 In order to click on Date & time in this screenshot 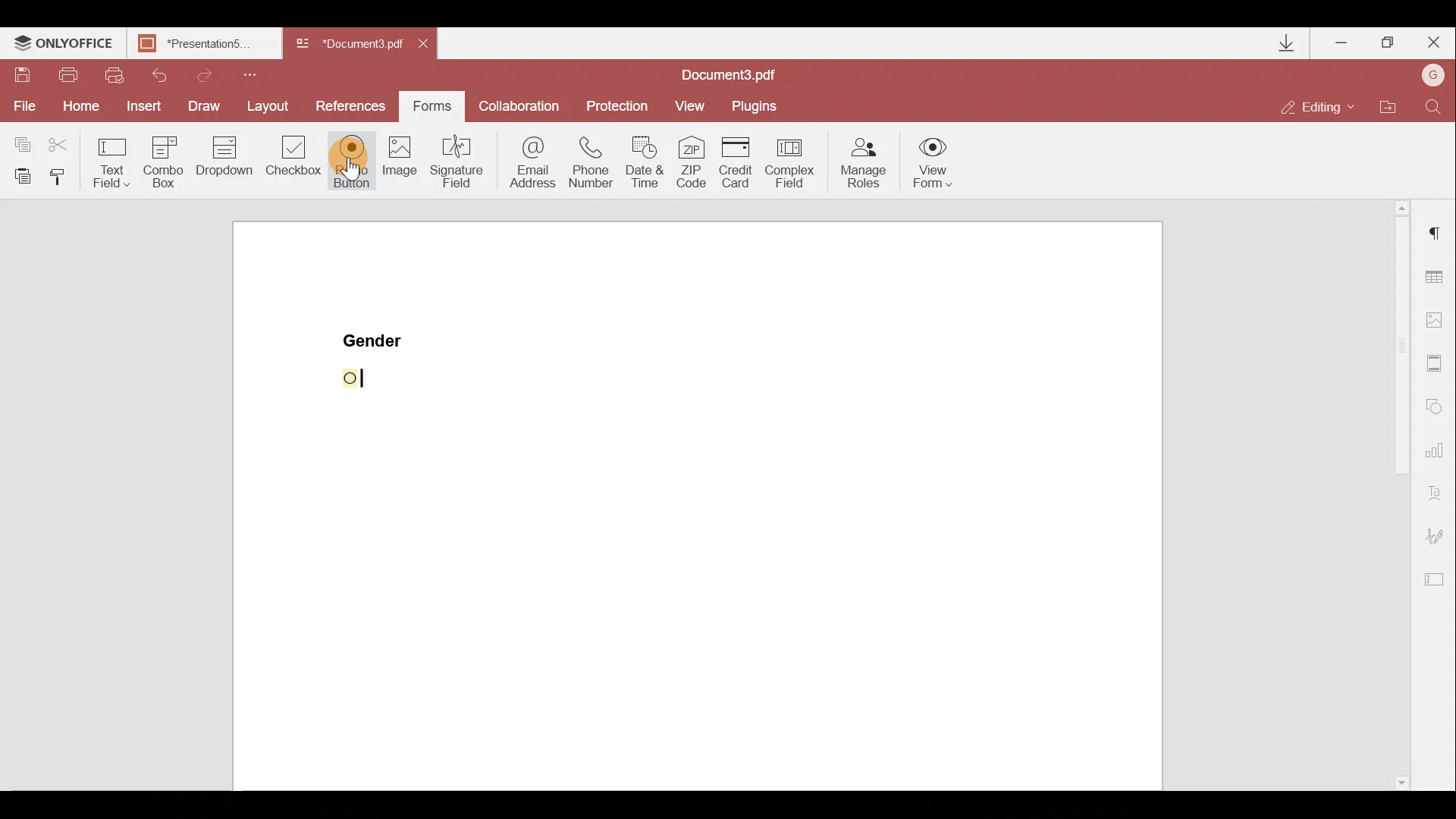, I will do `click(650, 164)`.